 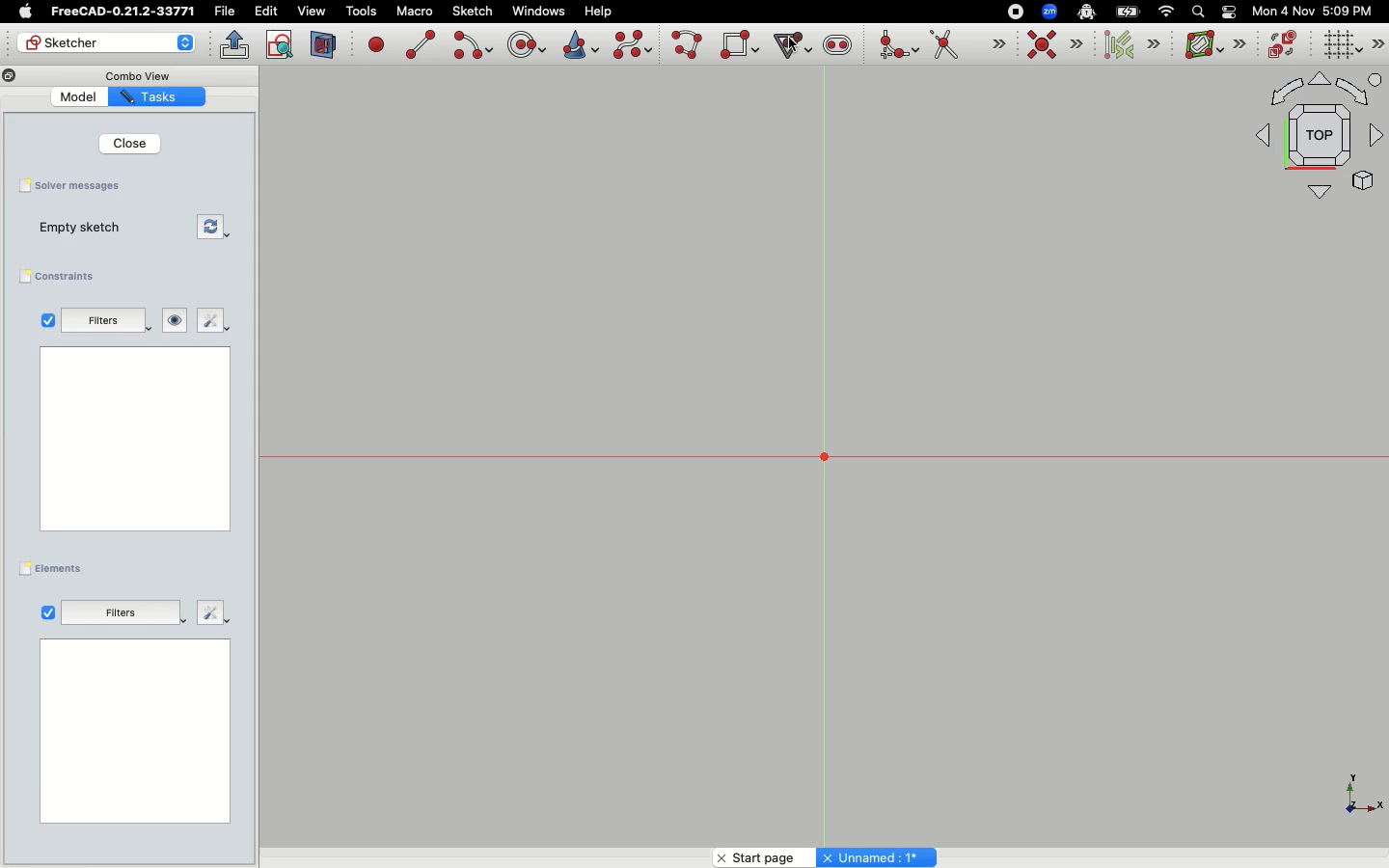 I want to click on View section, so click(x=324, y=44).